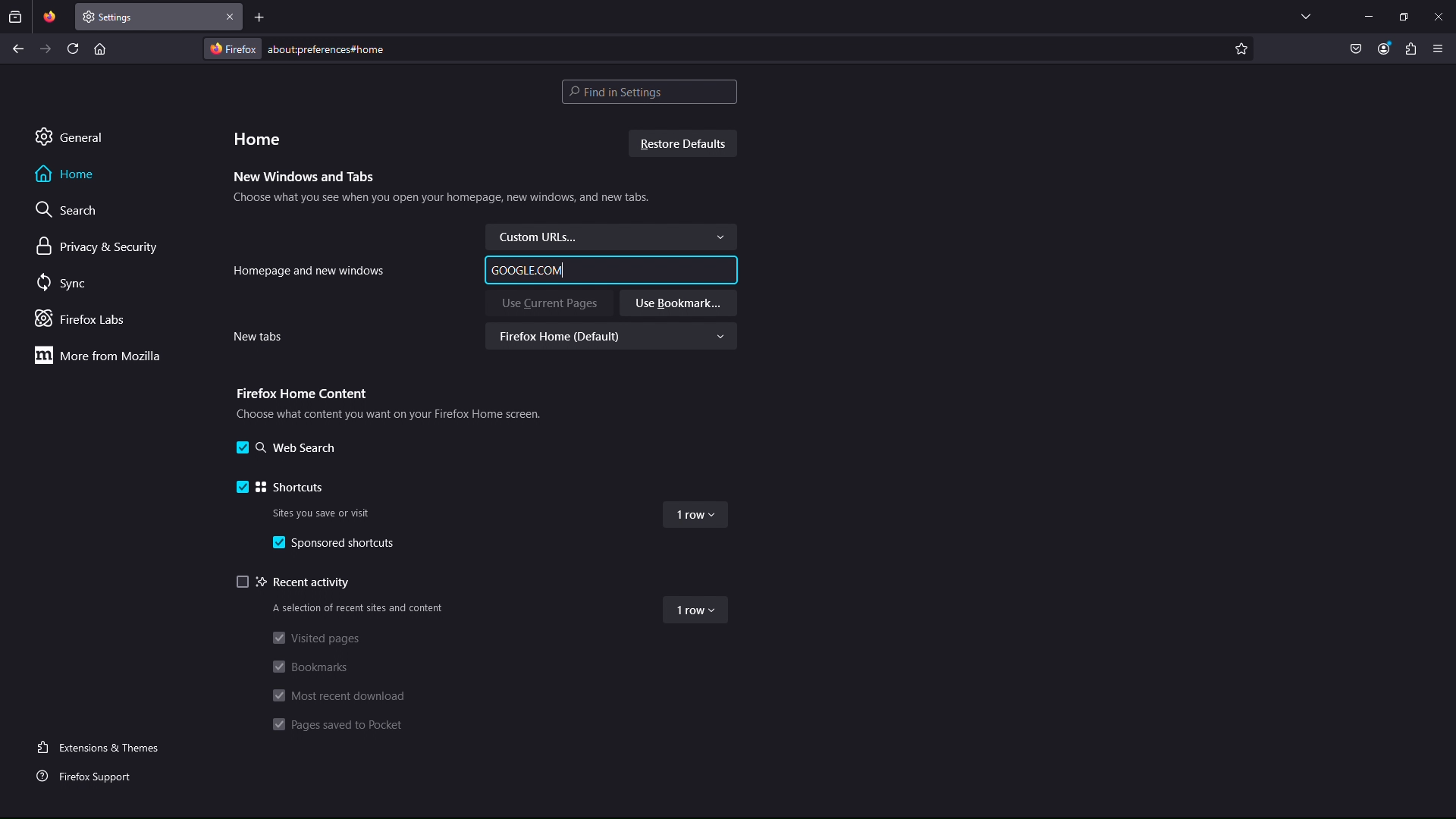  Describe the element at coordinates (305, 177) in the screenshot. I see `New Windows and Tabs` at that location.